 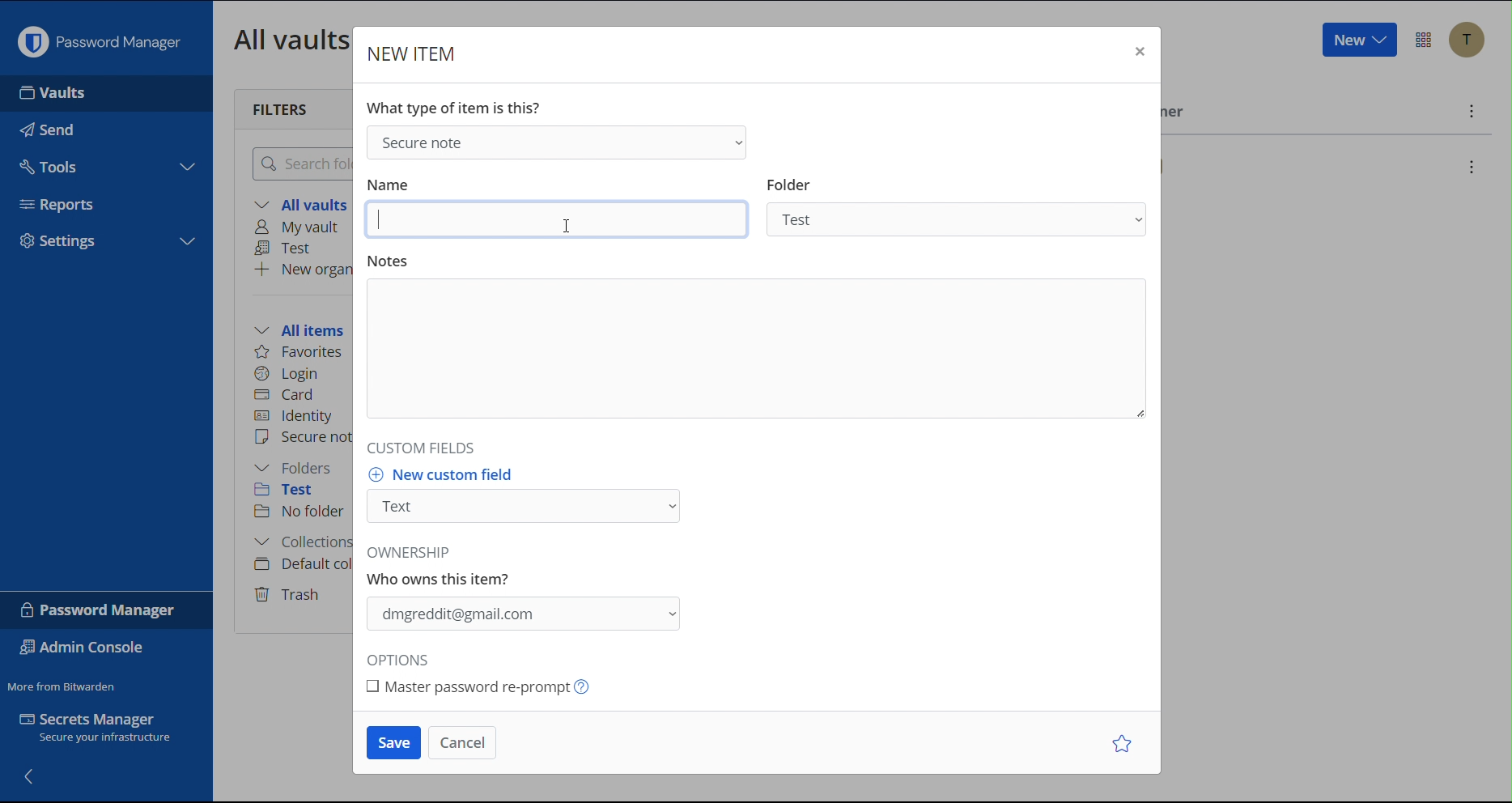 What do you see at coordinates (60, 243) in the screenshot?
I see `Settings` at bounding box center [60, 243].